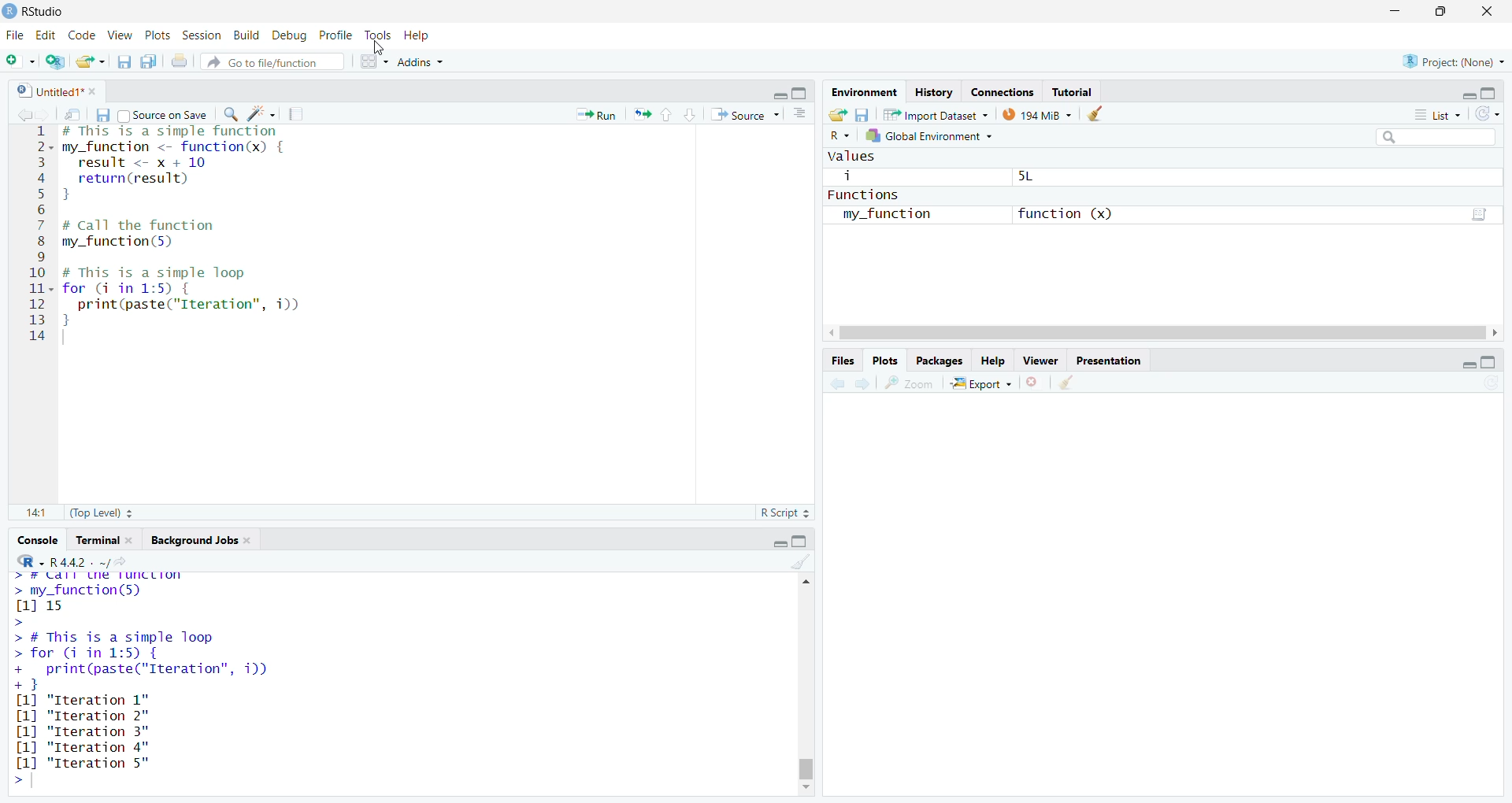 The image size is (1512, 803). What do you see at coordinates (17, 113) in the screenshot?
I see `go back to previous source location` at bounding box center [17, 113].